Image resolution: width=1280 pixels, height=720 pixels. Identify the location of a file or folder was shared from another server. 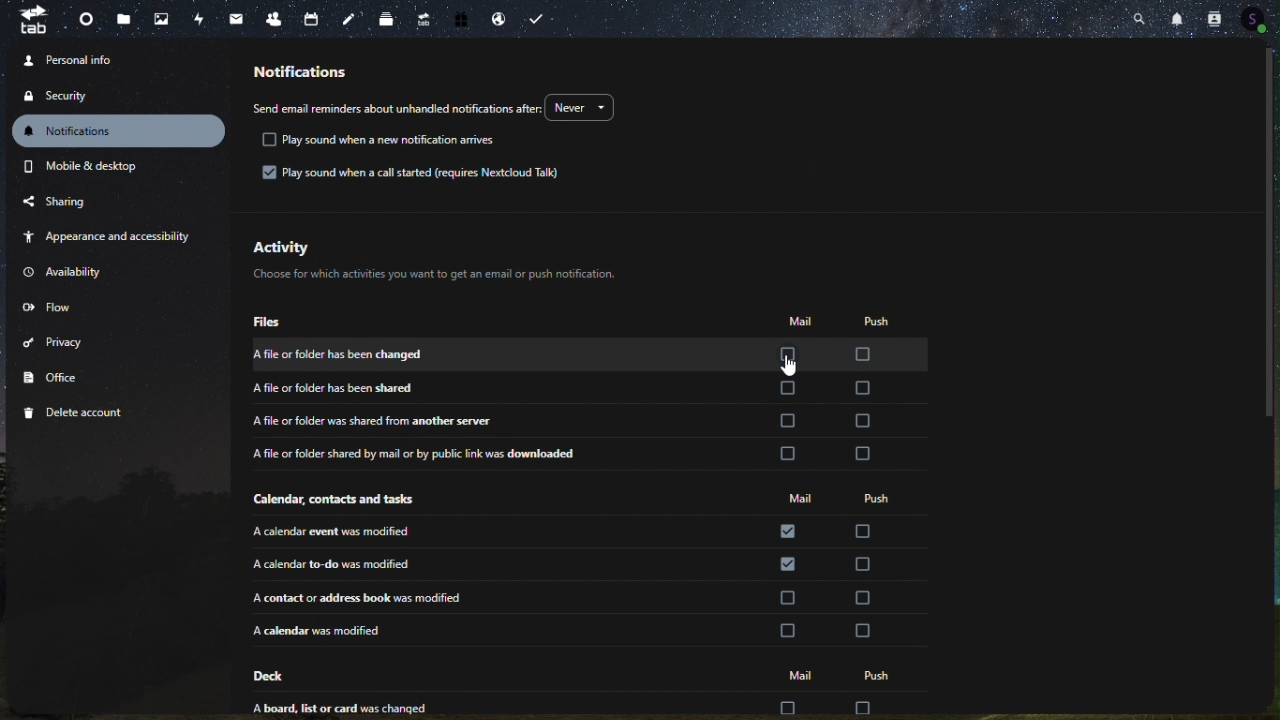
(377, 418).